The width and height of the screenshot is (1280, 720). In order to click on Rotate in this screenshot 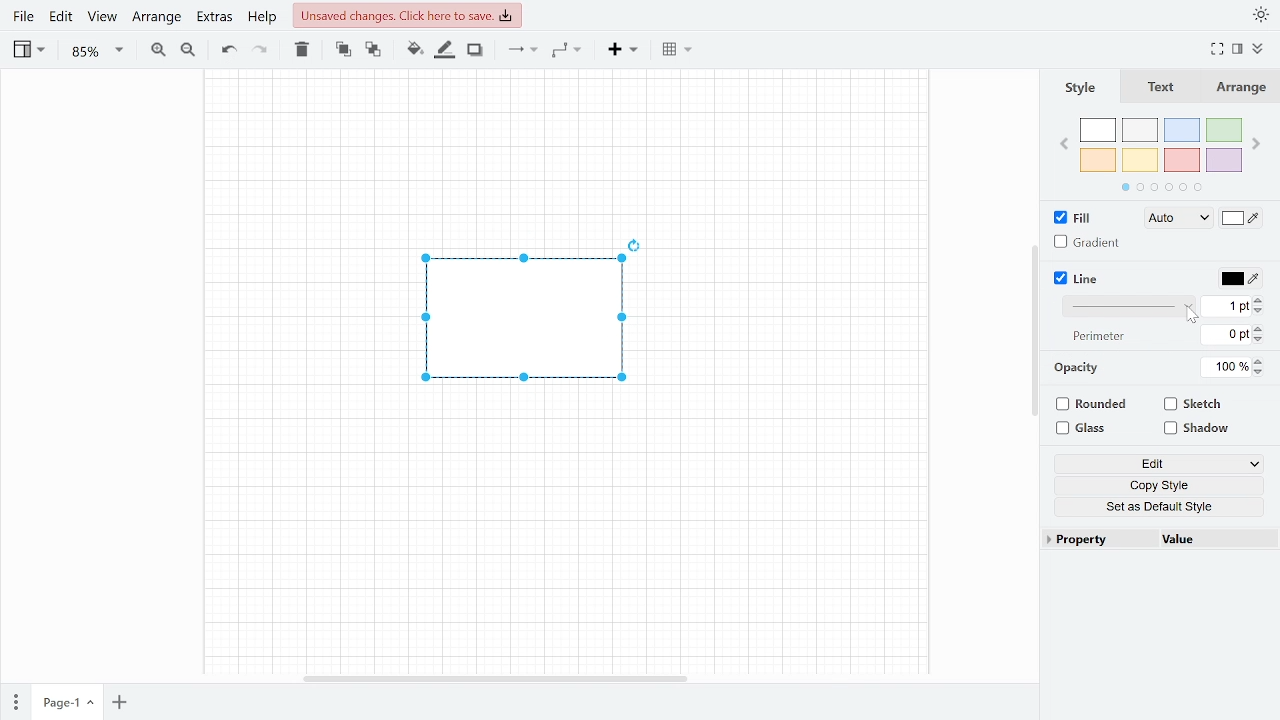, I will do `click(643, 241)`.